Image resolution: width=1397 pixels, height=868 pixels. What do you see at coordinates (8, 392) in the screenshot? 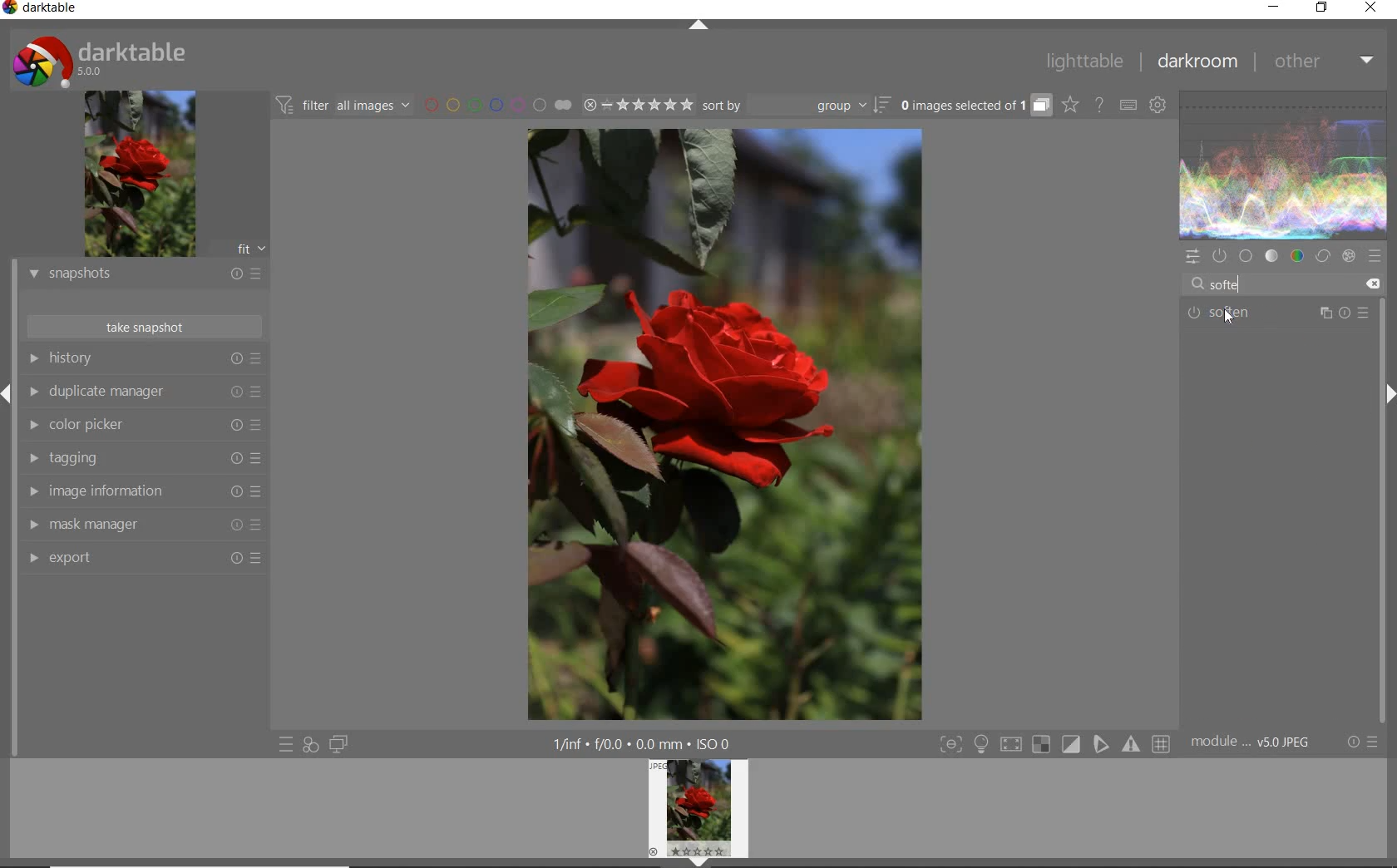
I see `Expand/Collapse` at bounding box center [8, 392].